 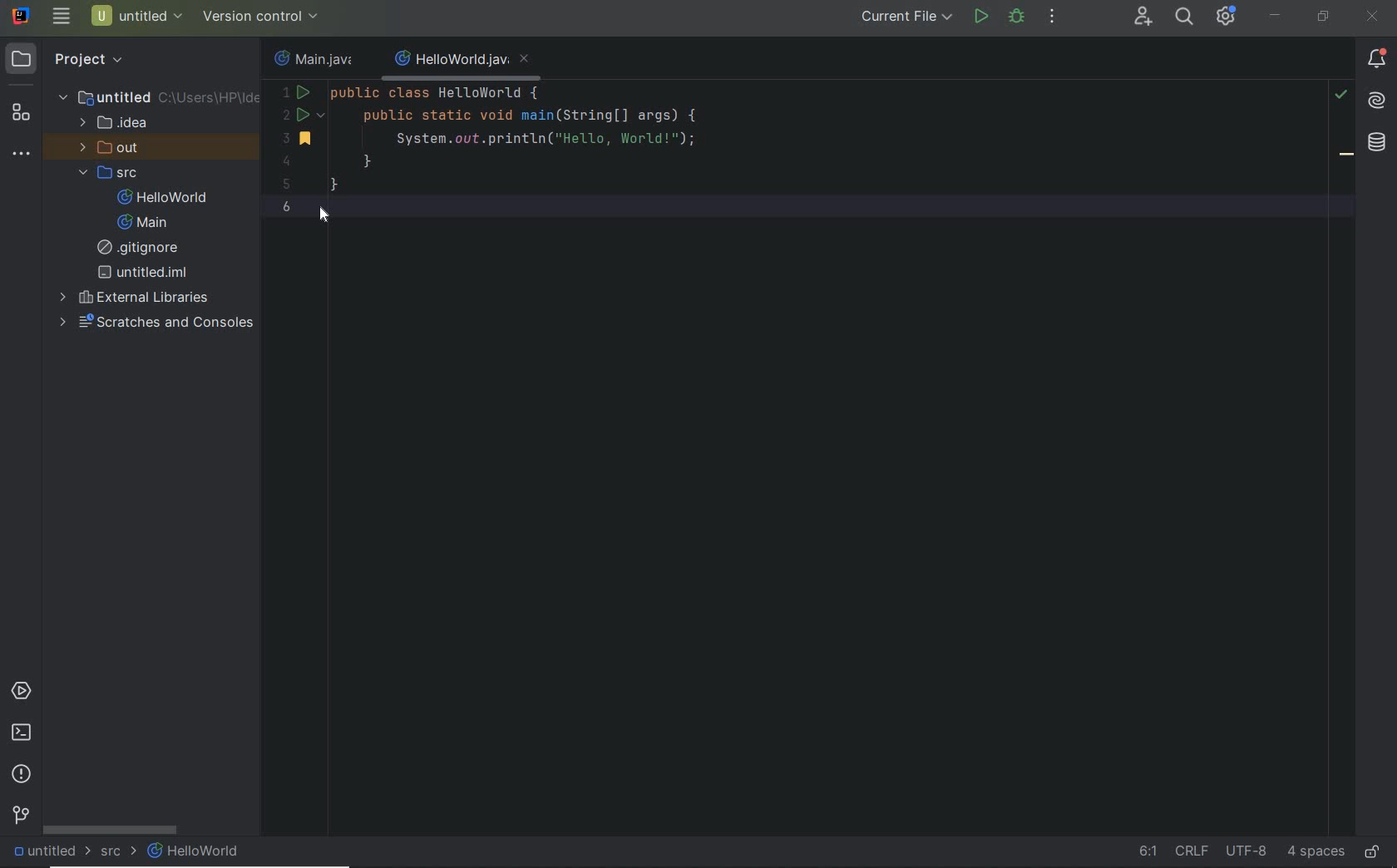 I want to click on search everywhere, so click(x=1183, y=17).